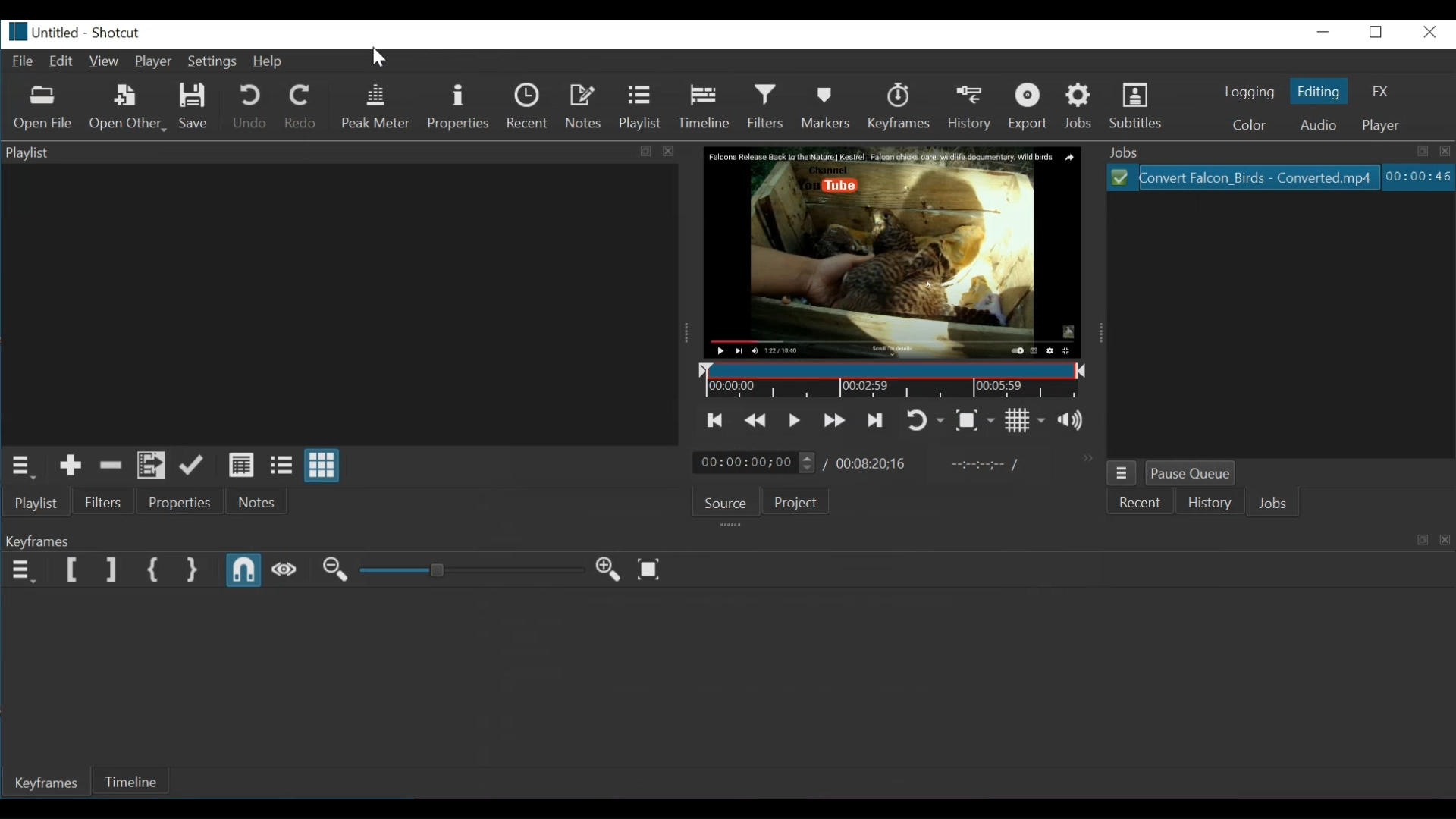 The image size is (1456, 819). What do you see at coordinates (529, 107) in the screenshot?
I see `Recent` at bounding box center [529, 107].